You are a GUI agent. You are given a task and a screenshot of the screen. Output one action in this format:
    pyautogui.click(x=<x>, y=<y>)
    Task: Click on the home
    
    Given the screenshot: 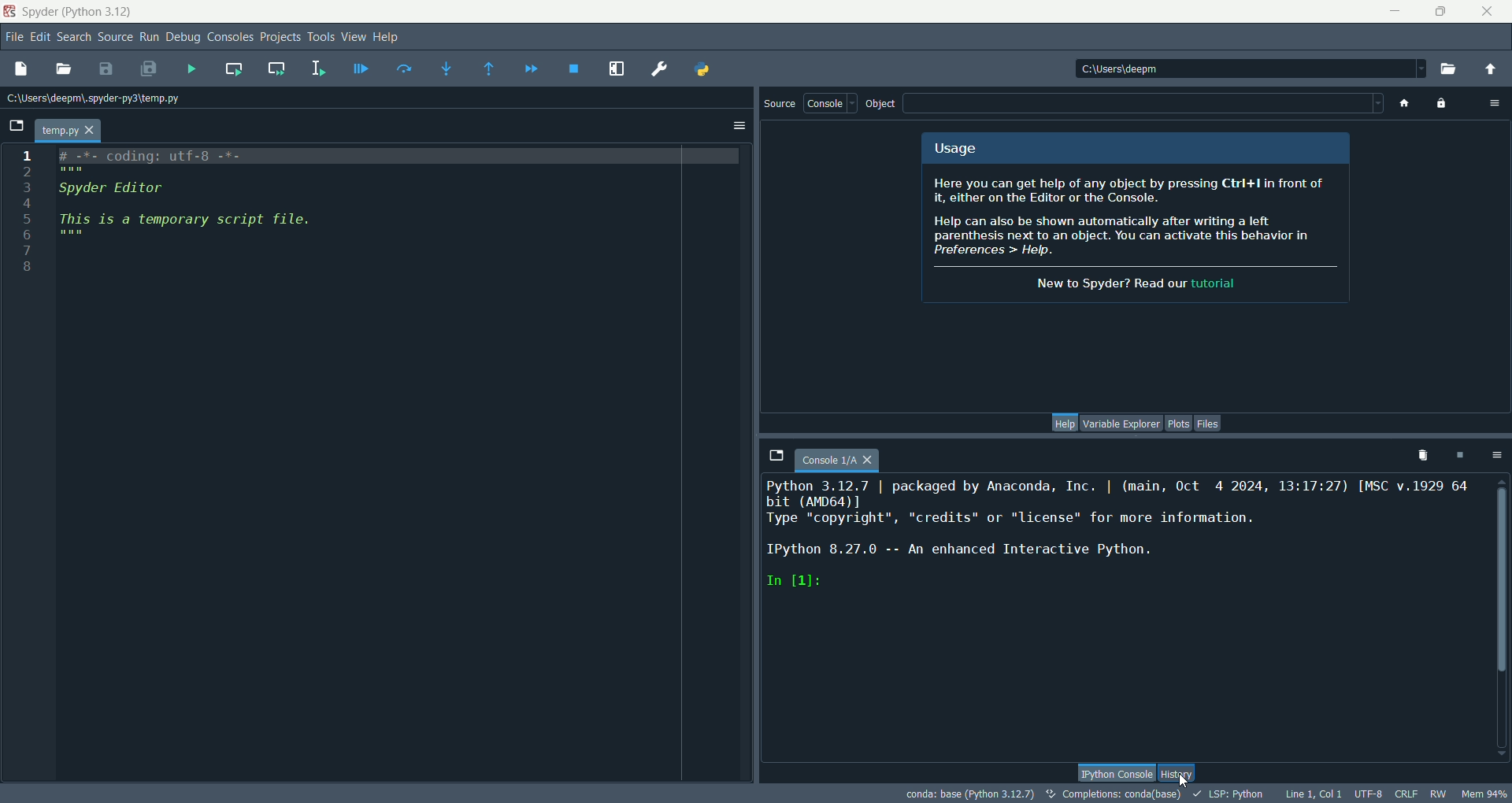 What is the action you would take?
    pyautogui.click(x=1407, y=105)
    